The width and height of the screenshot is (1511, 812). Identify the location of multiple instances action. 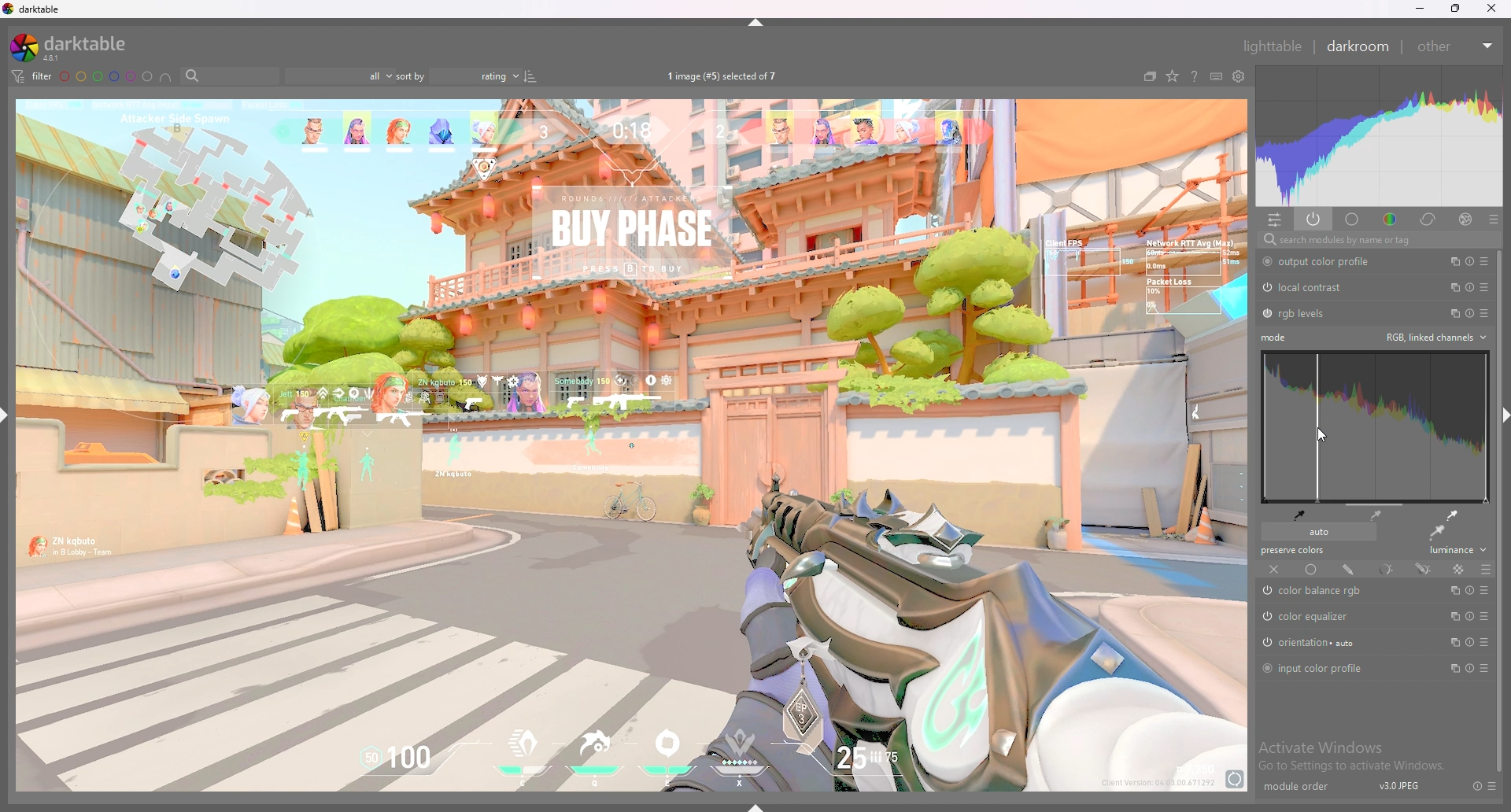
(1451, 615).